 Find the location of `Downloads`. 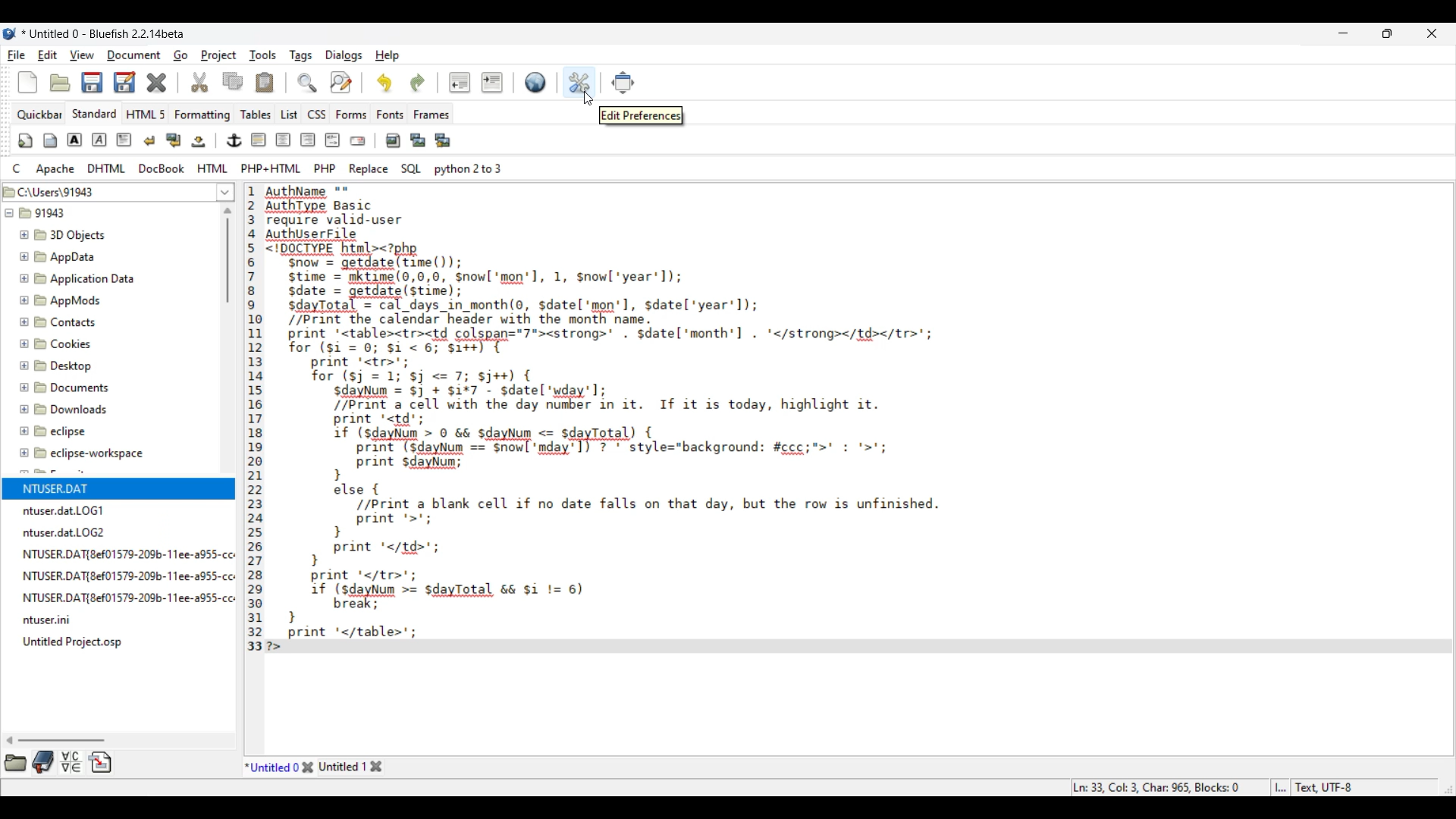

Downloads is located at coordinates (65, 408).